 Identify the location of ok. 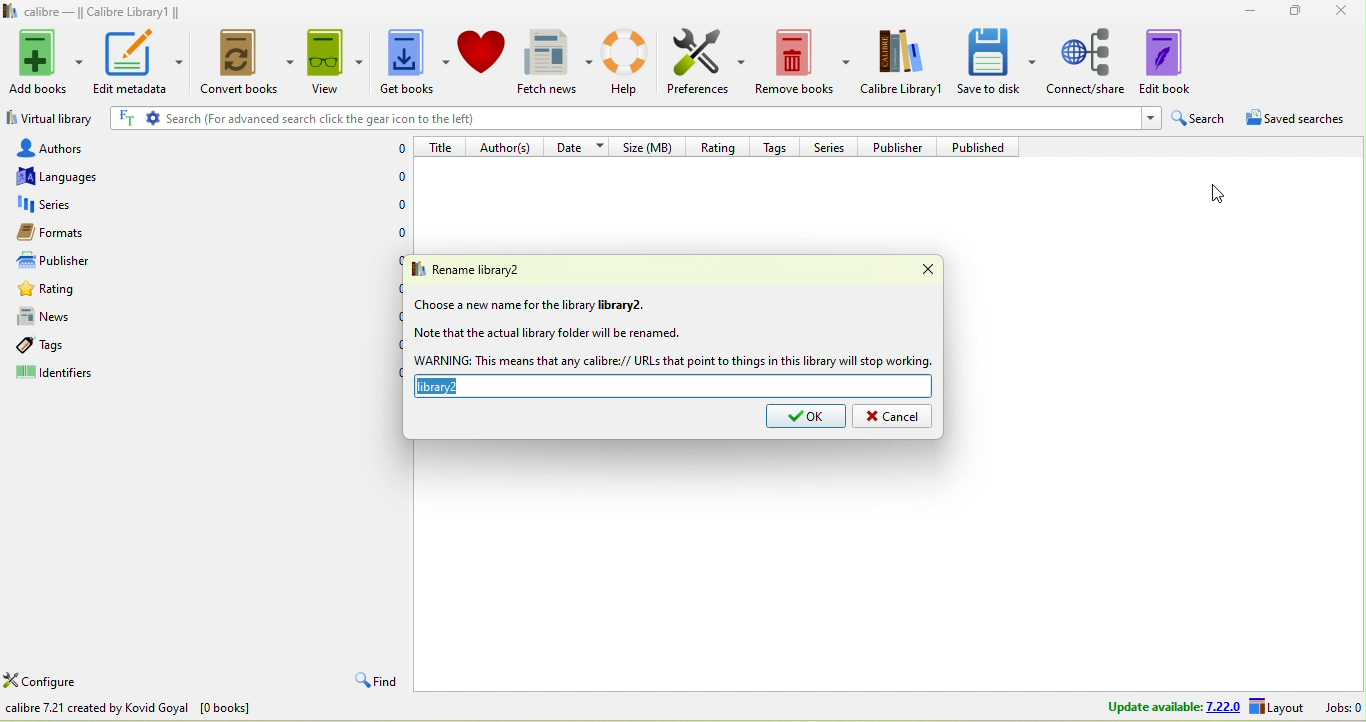
(806, 417).